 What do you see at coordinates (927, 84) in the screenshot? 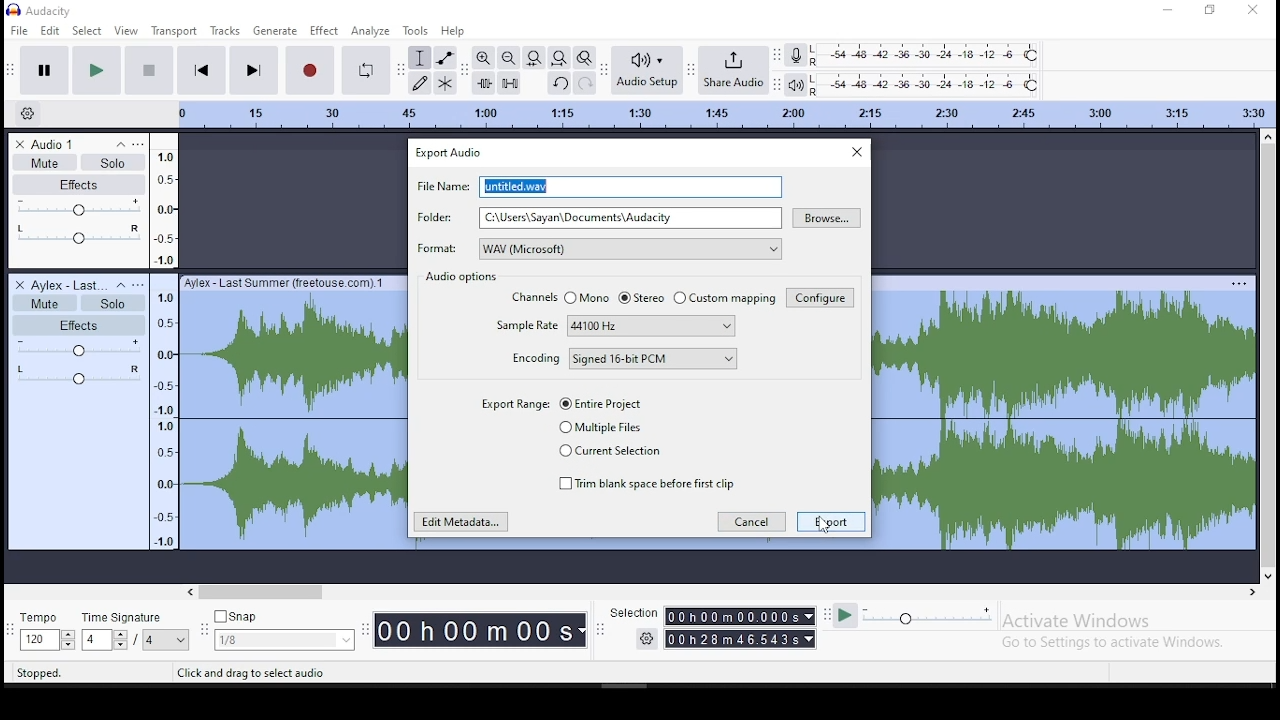
I see `playback level` at bounding box center [927, 84].